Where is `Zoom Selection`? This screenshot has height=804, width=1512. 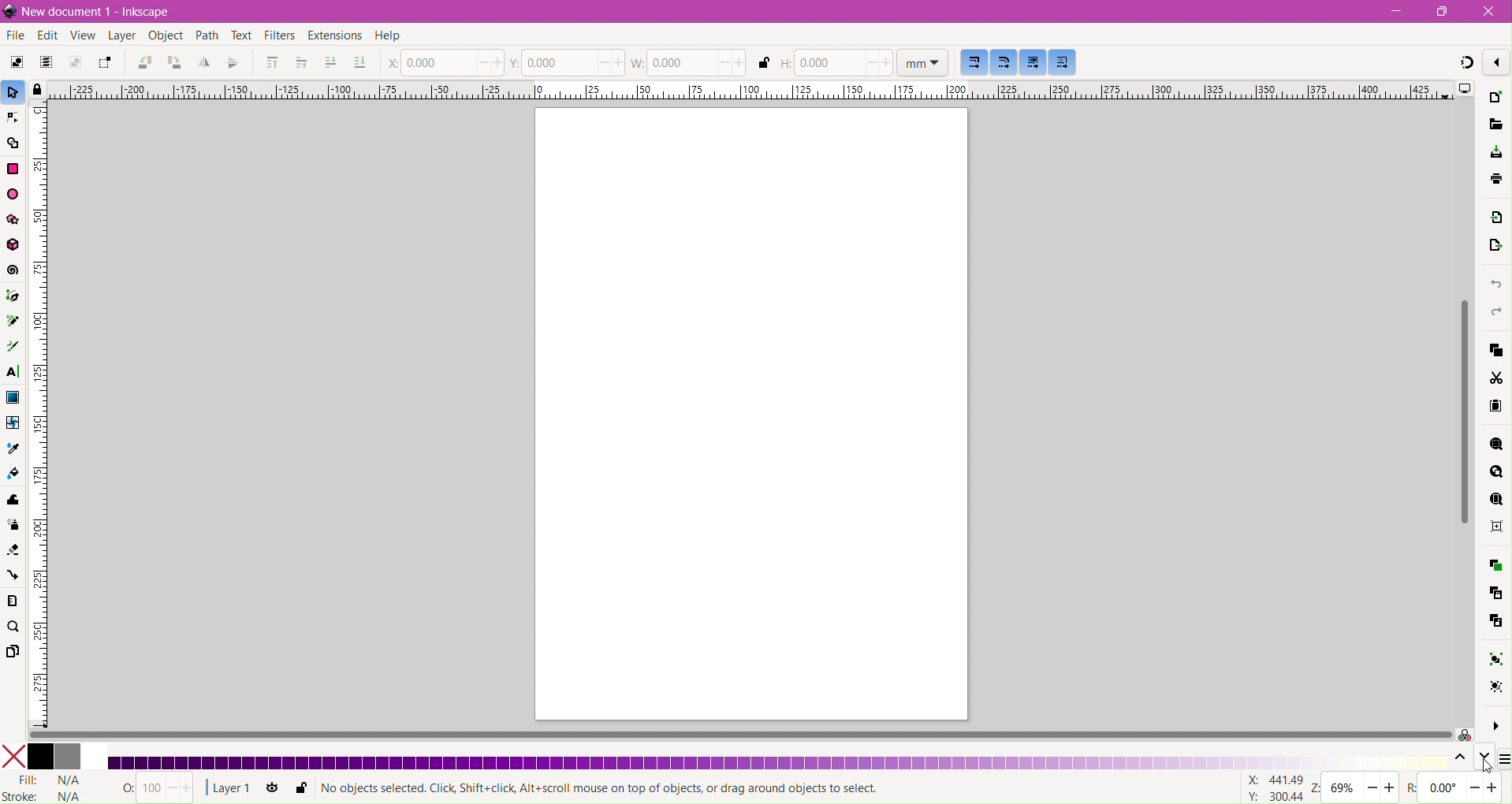 Zoom Selection is located at coordinates (1494, 445).